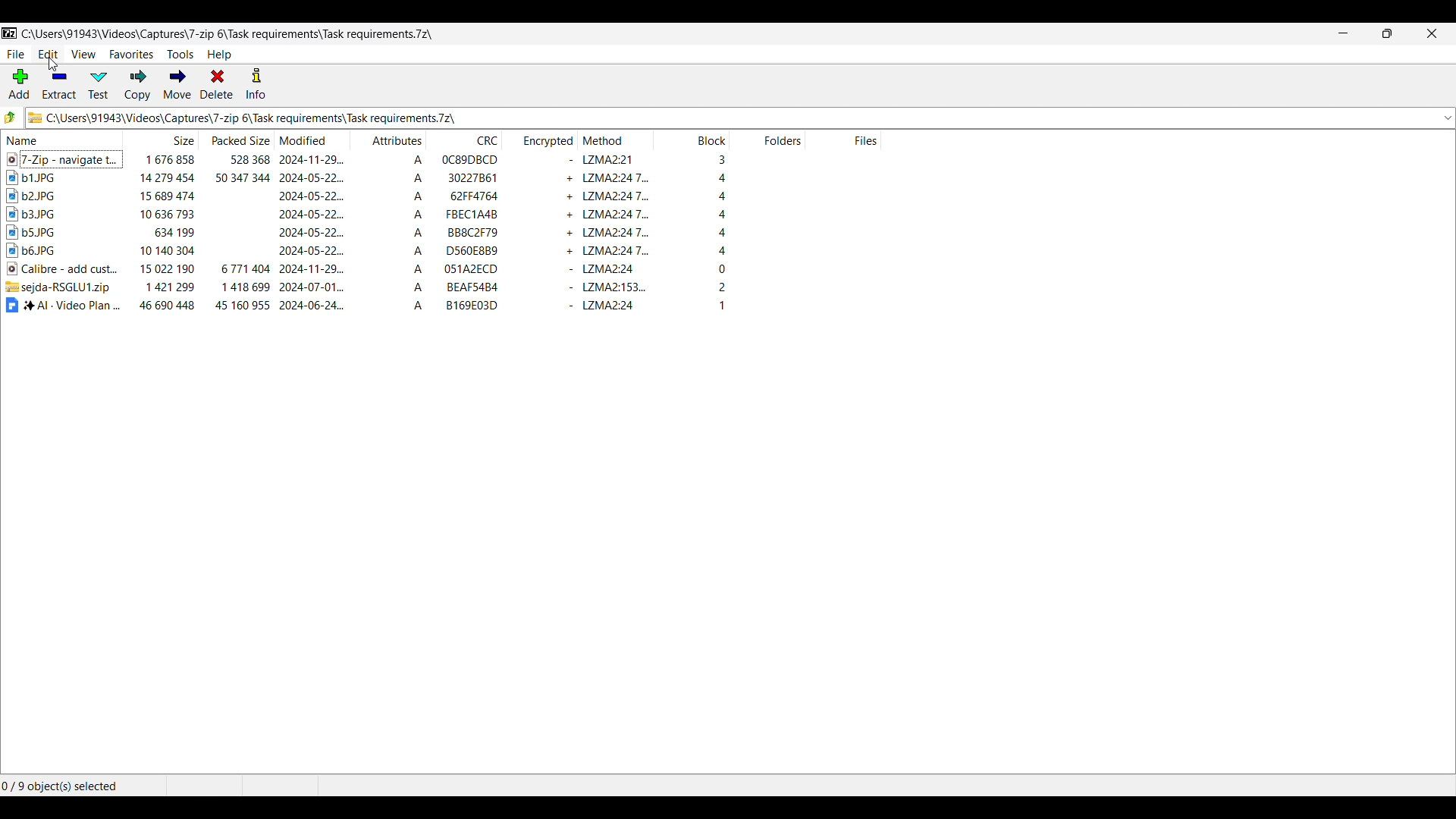 This screenshot has height=819, width=1456. Describe the element at coordinates (217, 83) in the screenshot. I see `Delete` at that location.